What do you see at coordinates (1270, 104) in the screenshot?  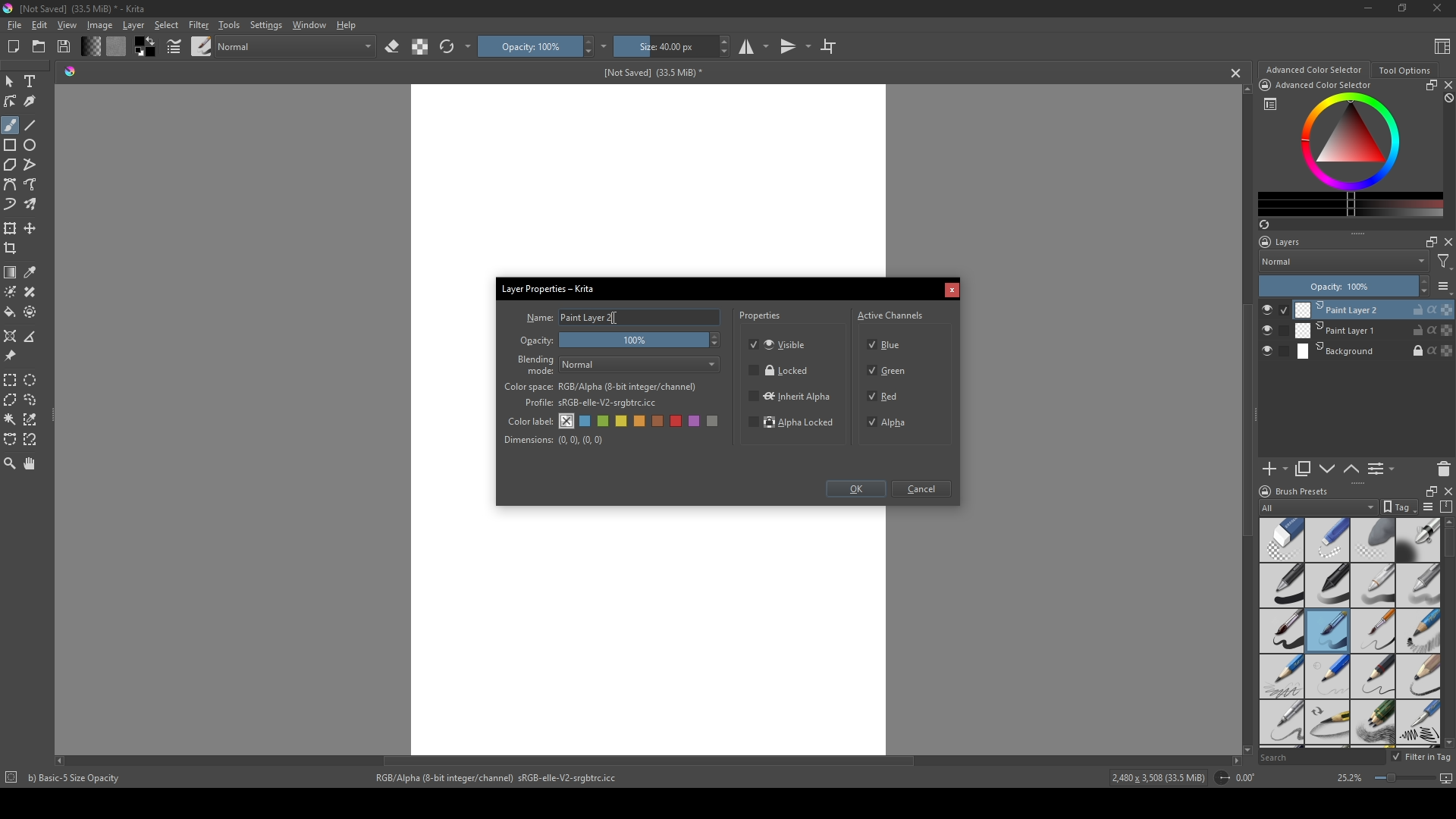 I see `list` at bounding box center [1270, 104].